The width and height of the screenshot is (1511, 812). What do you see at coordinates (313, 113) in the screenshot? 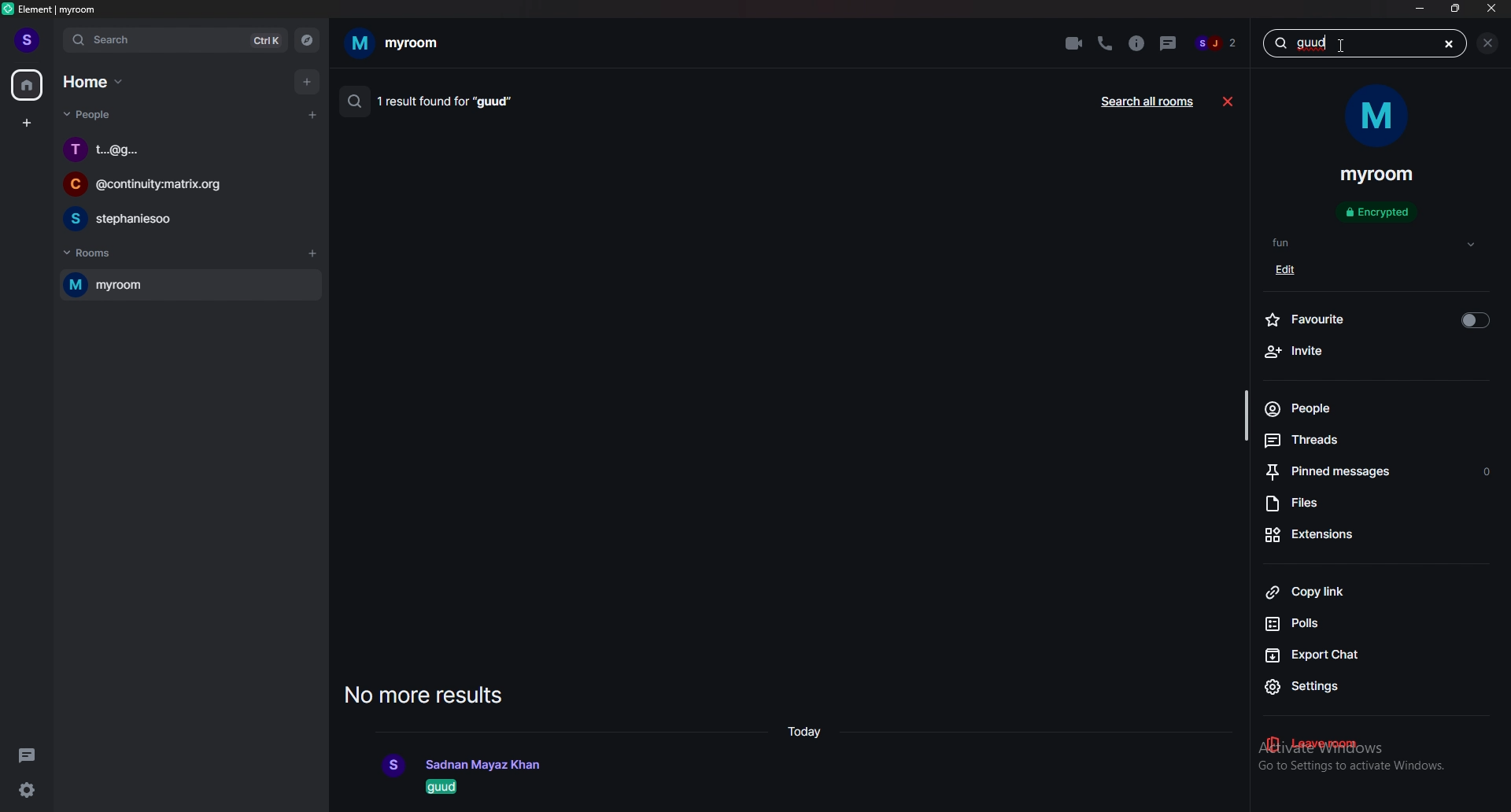
I see `start chat` at bounding box center [313, 113].